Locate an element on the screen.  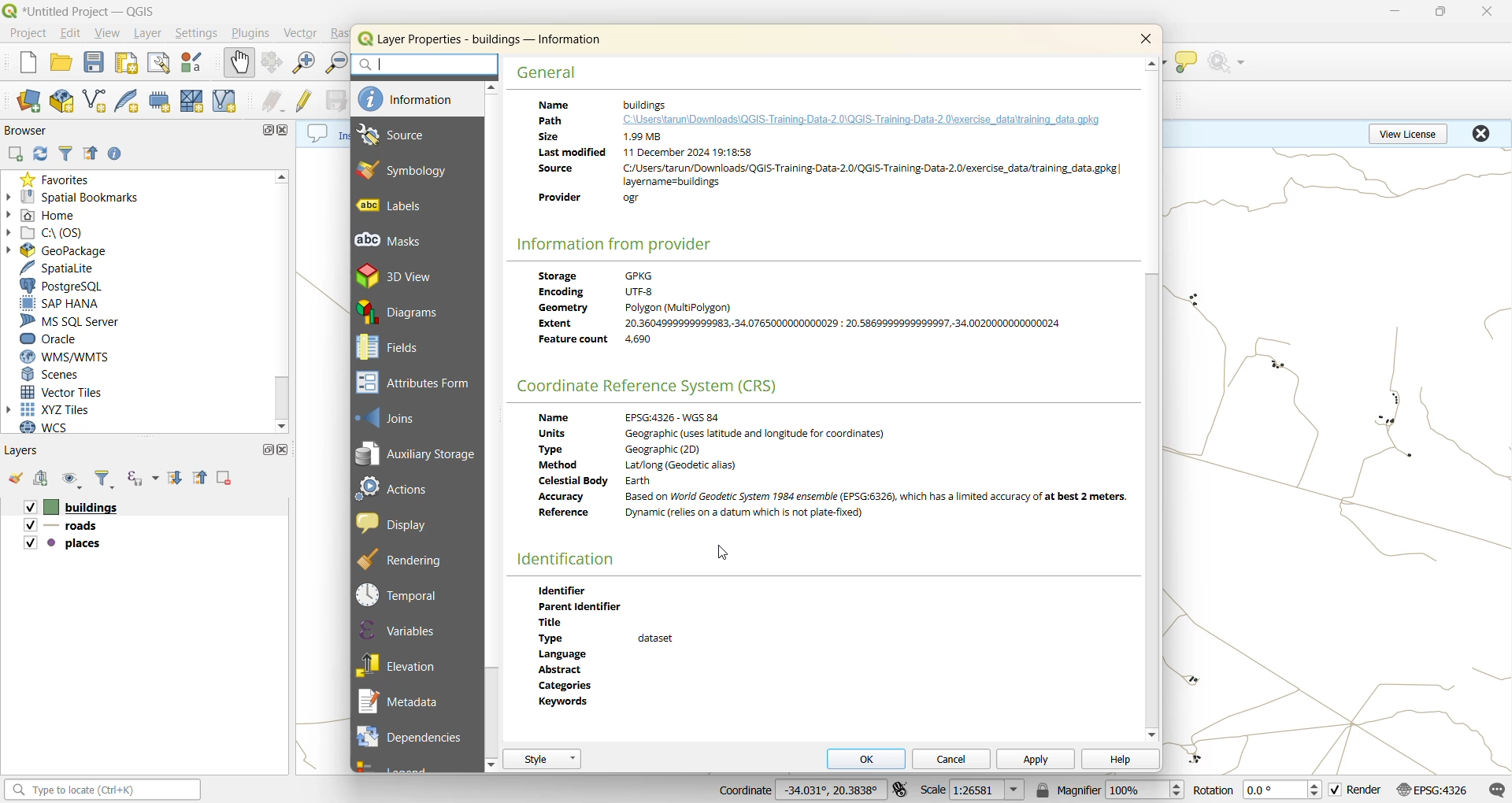
xyz tiles is located at coordinates (80, 411).